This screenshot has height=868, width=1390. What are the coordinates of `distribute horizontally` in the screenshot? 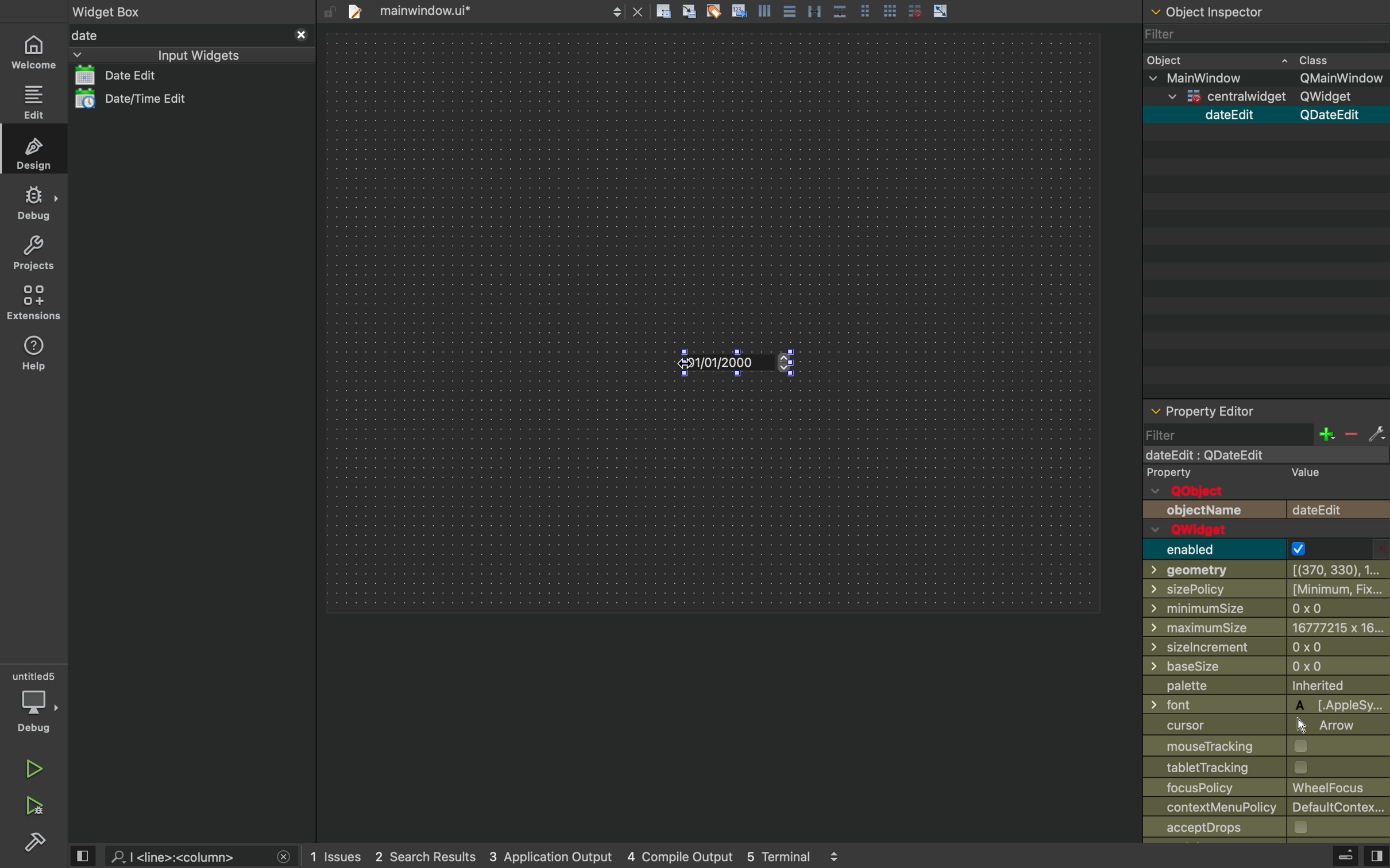 It's located at (814, 10).